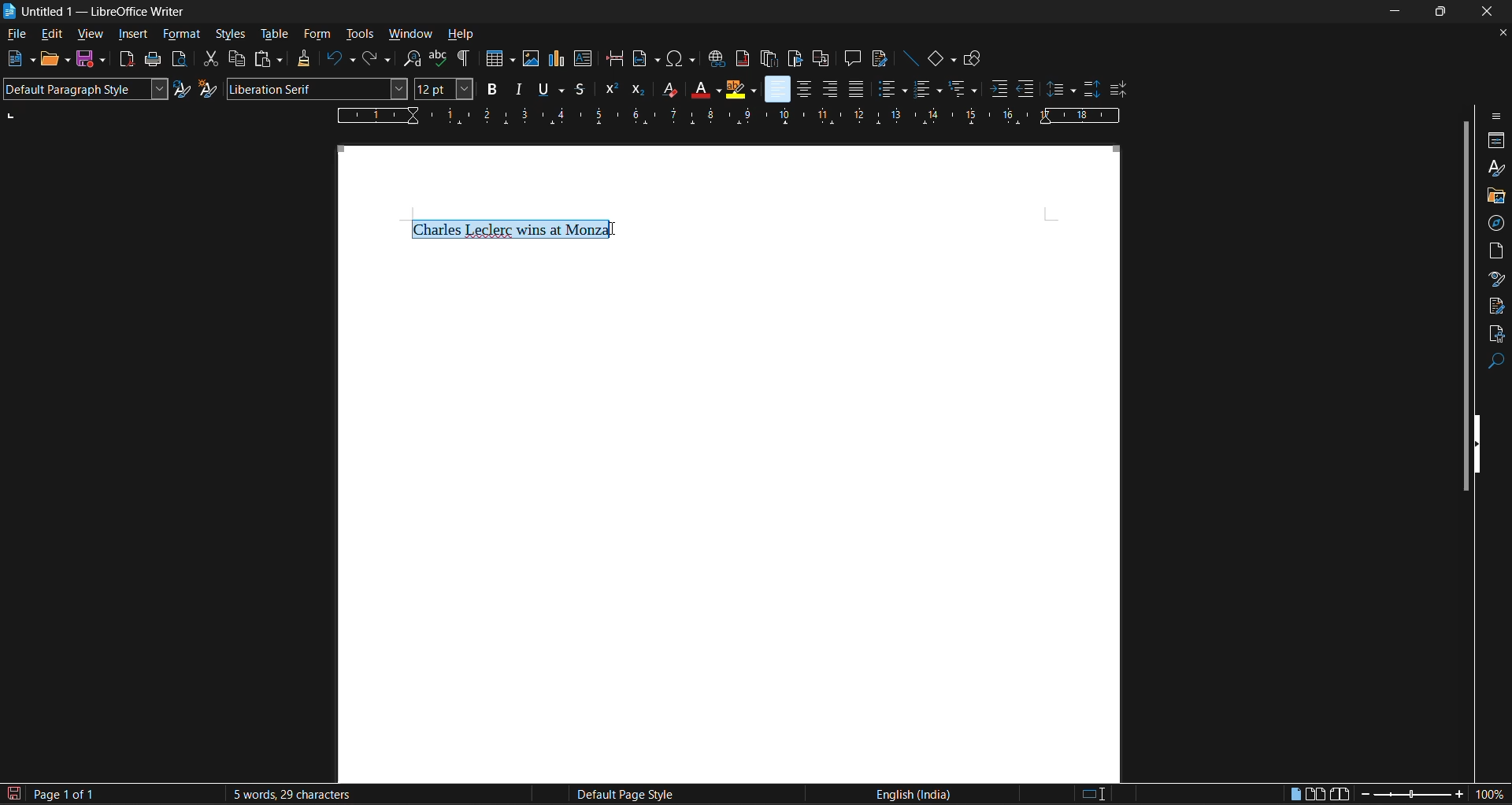  I want to click on redo, so click(375, 59).